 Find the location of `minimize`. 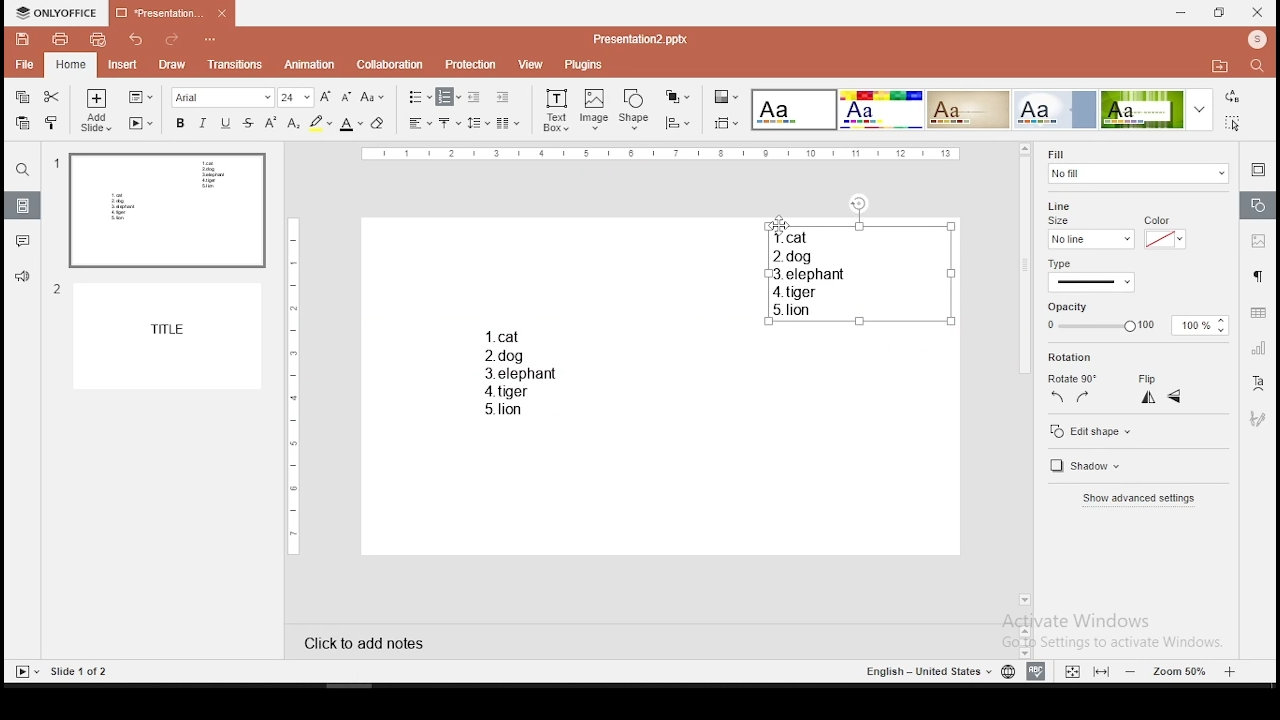

minimize is located at coordinates (1181, 14).